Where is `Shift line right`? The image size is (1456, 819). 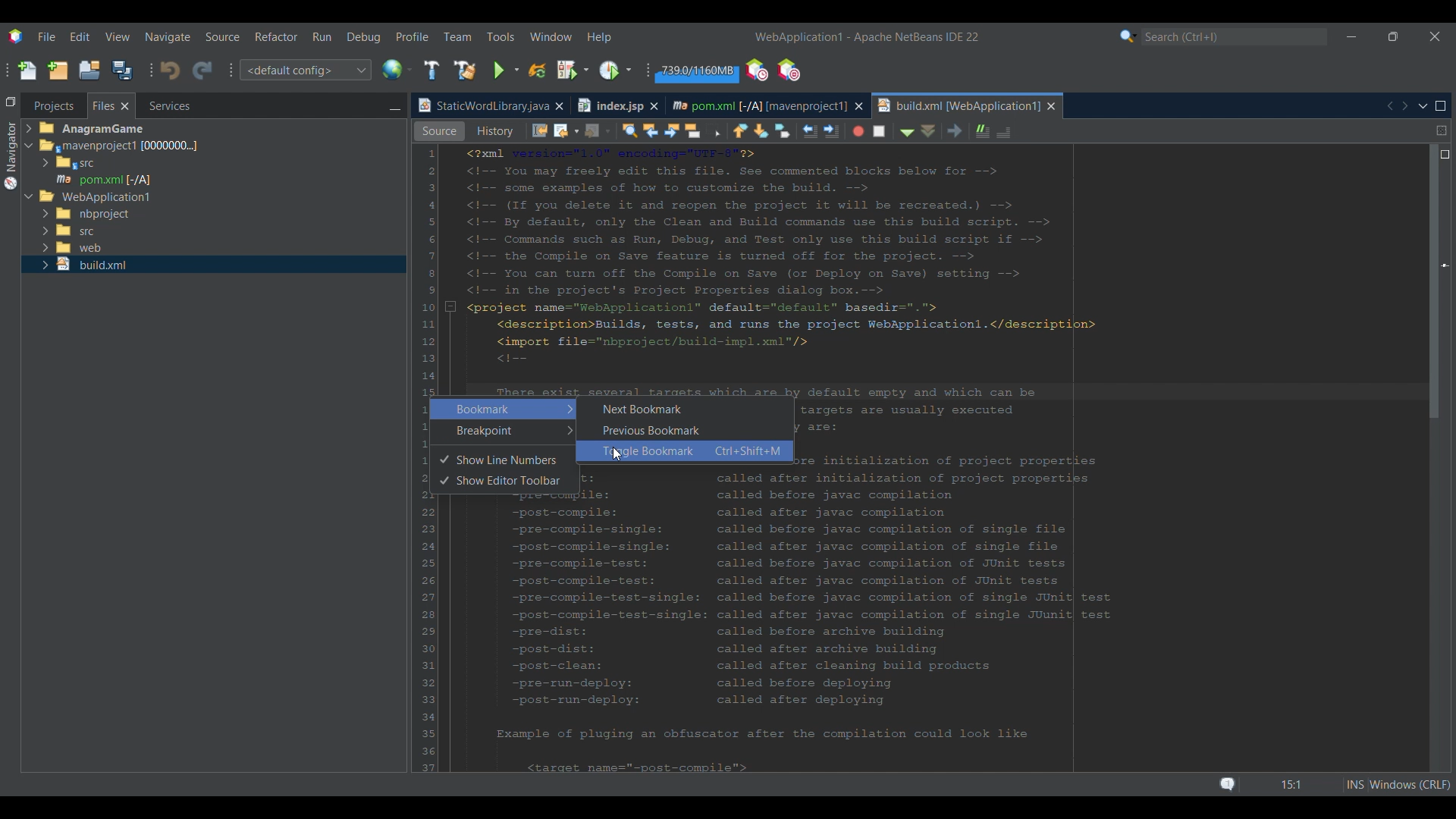
Shift line right is located at coordinates (964, 130).